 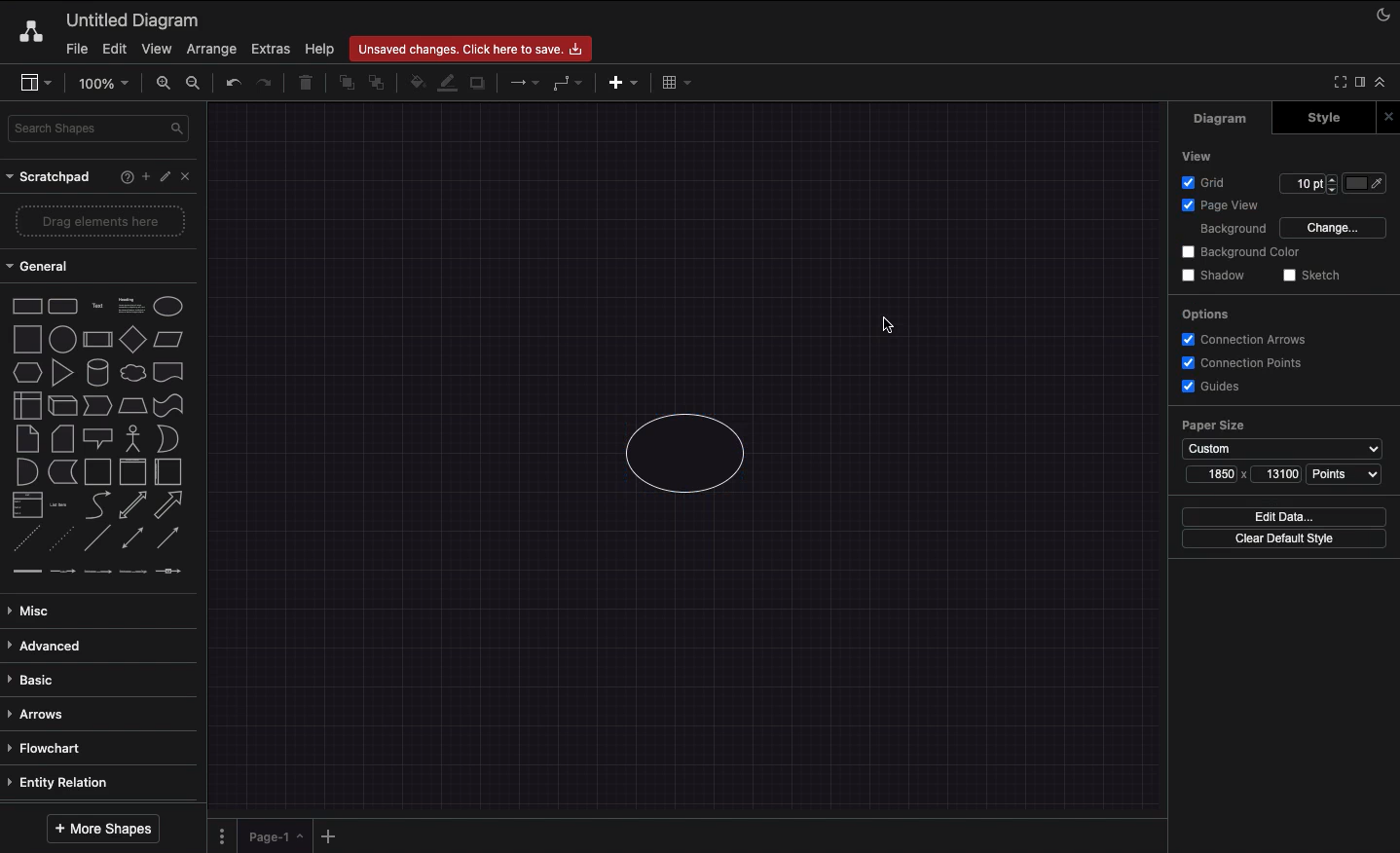 What do you see at coordinates (75, 49) in the screenshot?
I see `File` at bounding box center [75, 49].